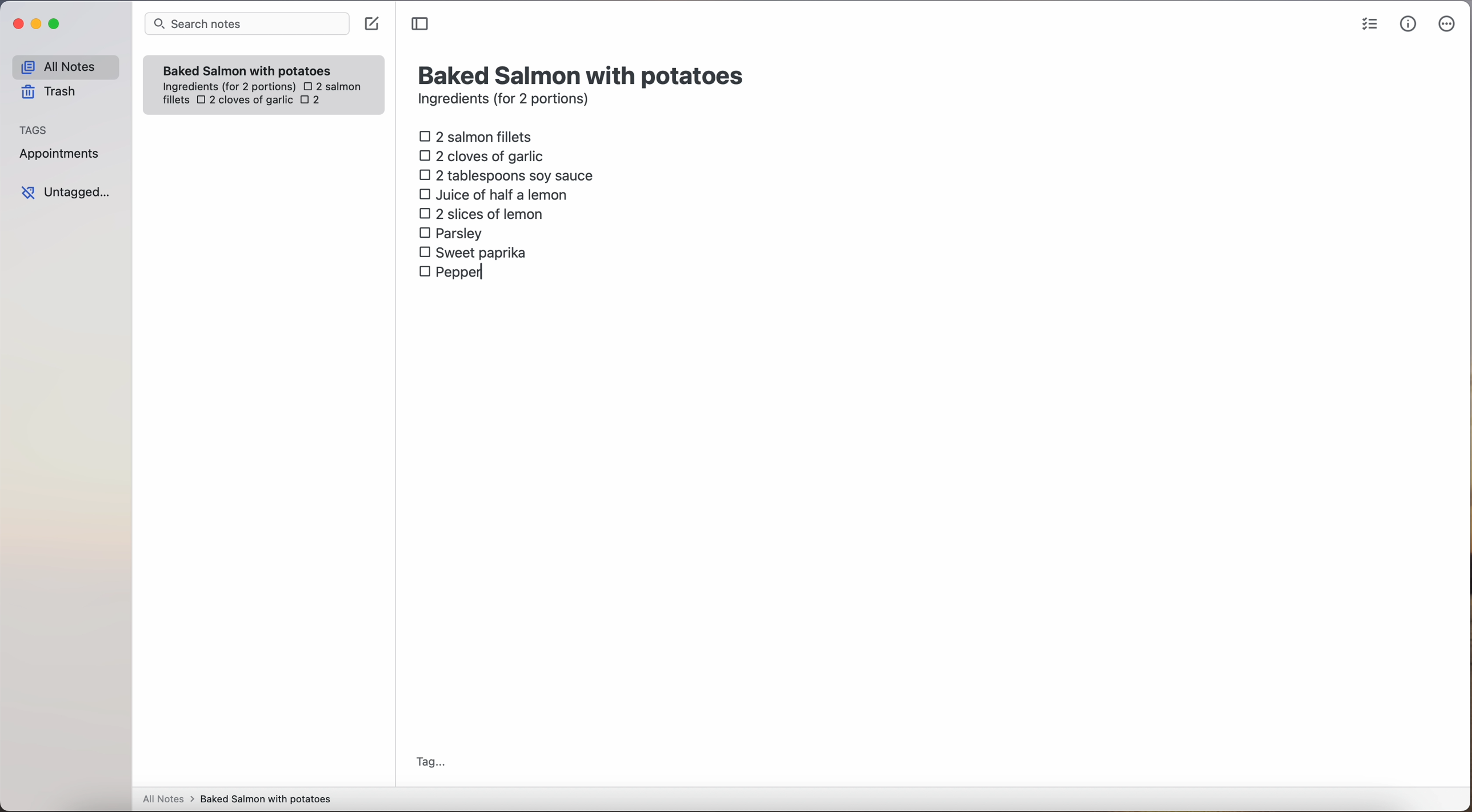 The width and height of the screenshot is (1472, 812). Describe the element at coordinates (177, 101) in the screenshot. I see `fillets` at that location.